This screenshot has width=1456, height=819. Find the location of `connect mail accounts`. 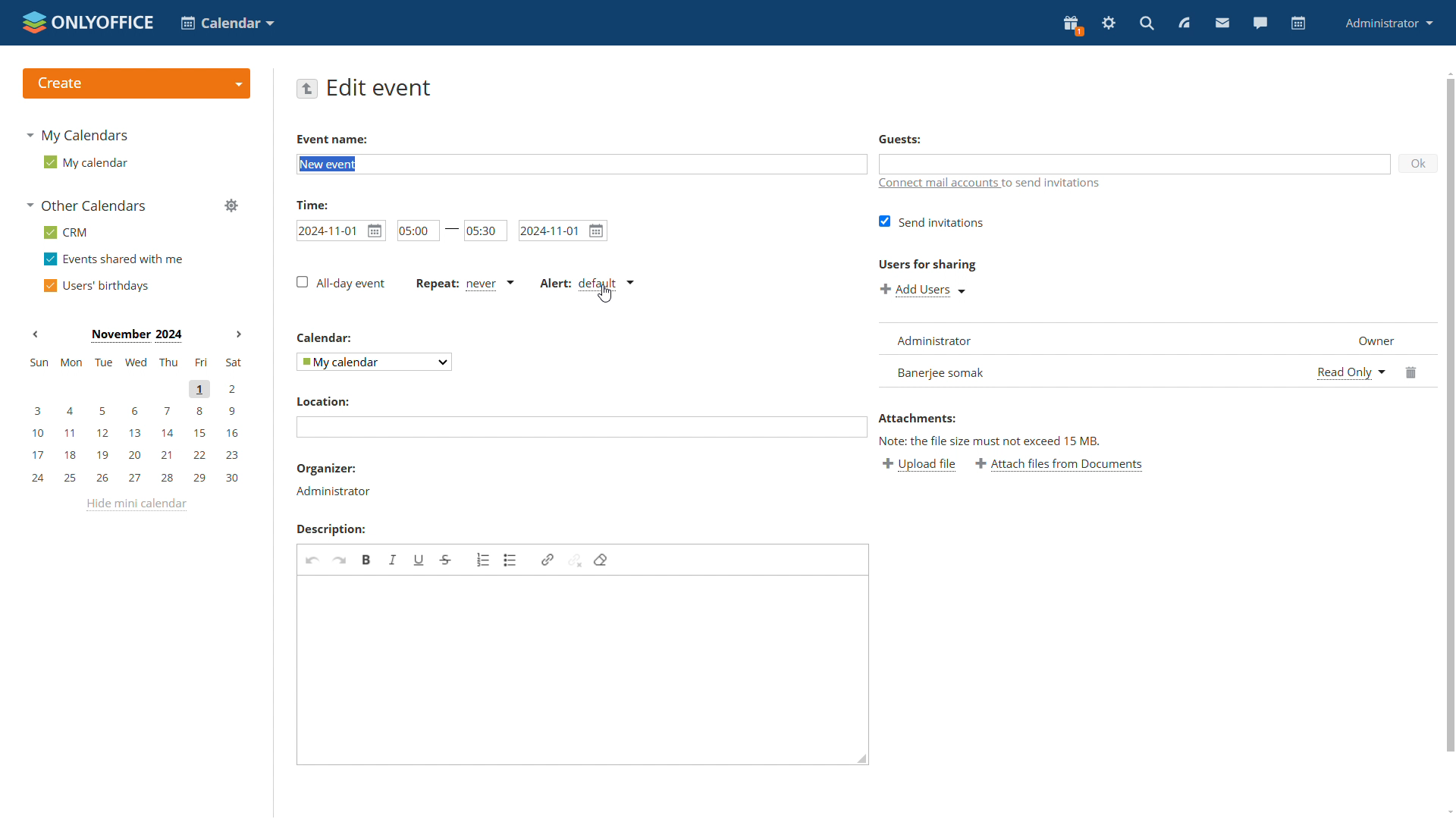

connect mail accounts is located at coordinates (939, 185).